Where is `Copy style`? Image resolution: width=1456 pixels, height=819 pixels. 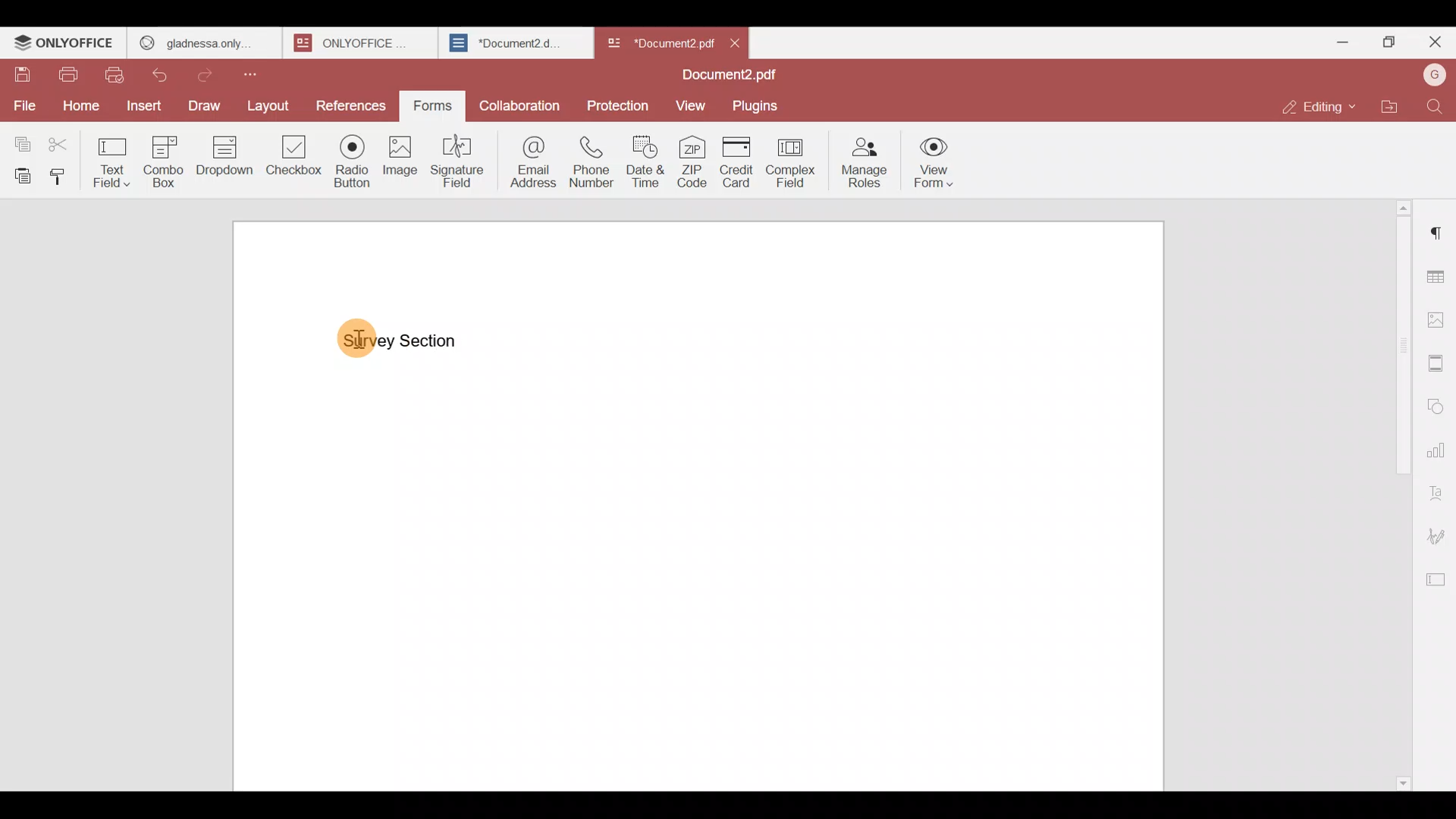
Copy style is located at coordinates (59, 173).